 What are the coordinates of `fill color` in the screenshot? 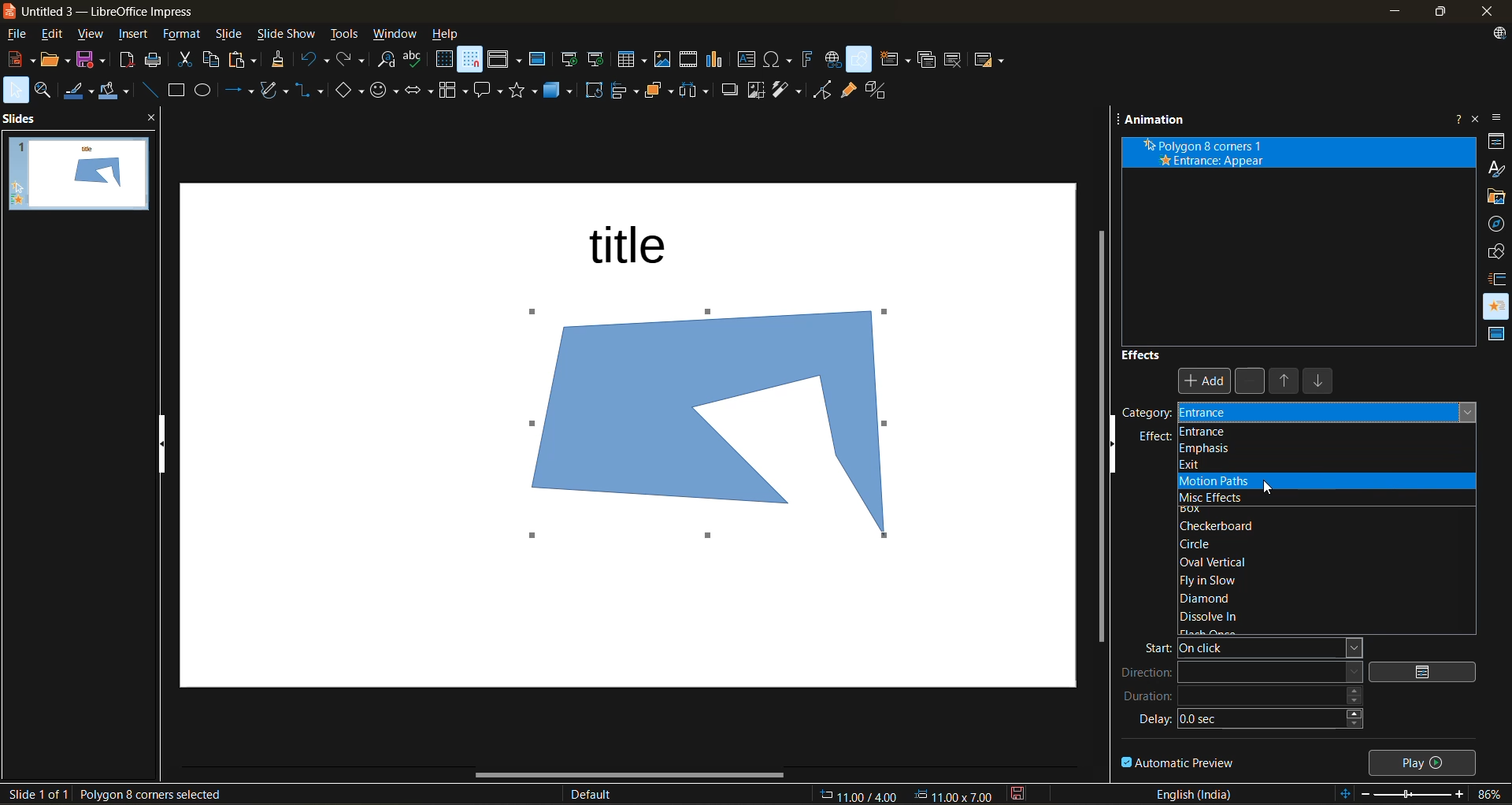 It's located at (117, 94).